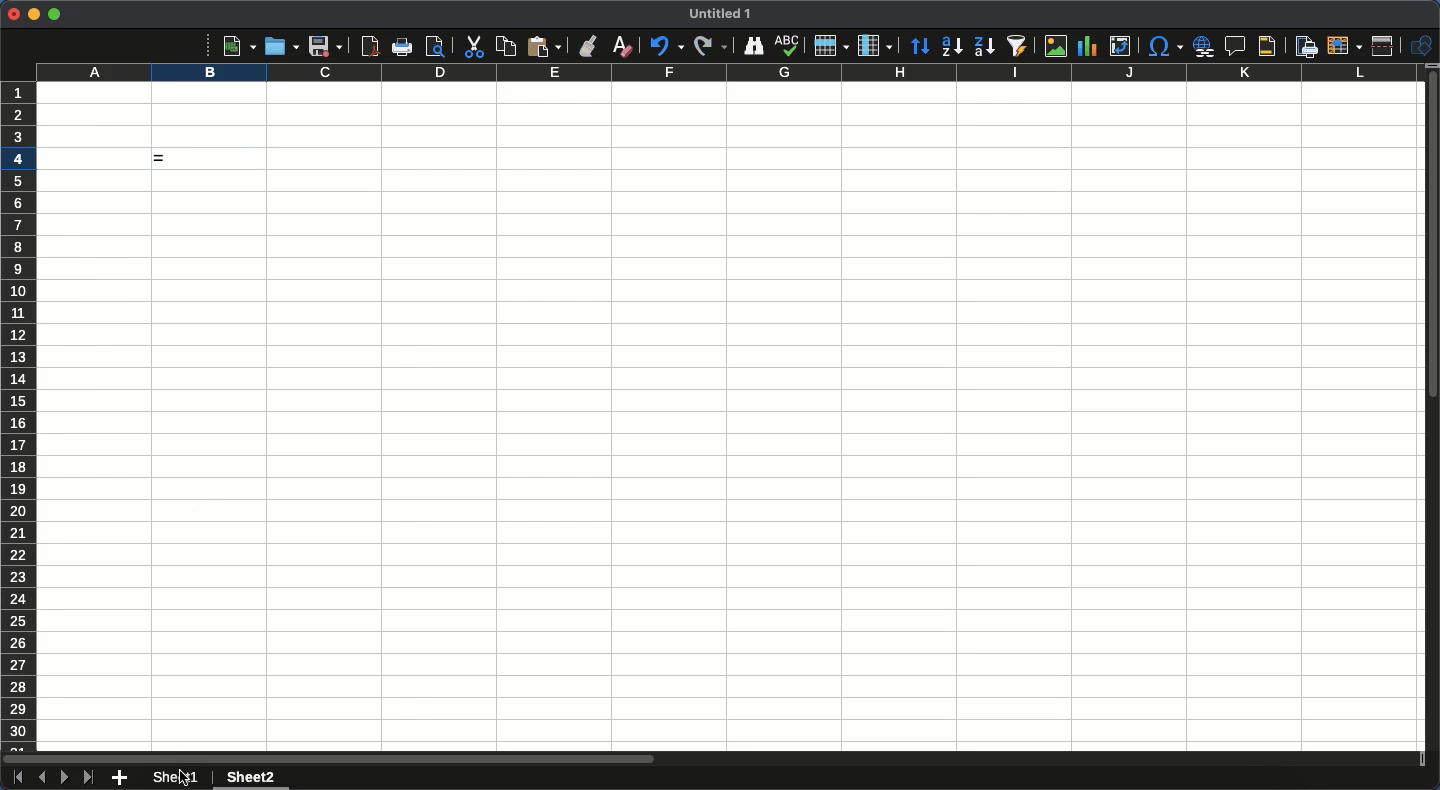 This screenshot has width=1440, height=790. I want to click on Sheet 1, so click(179, 778).